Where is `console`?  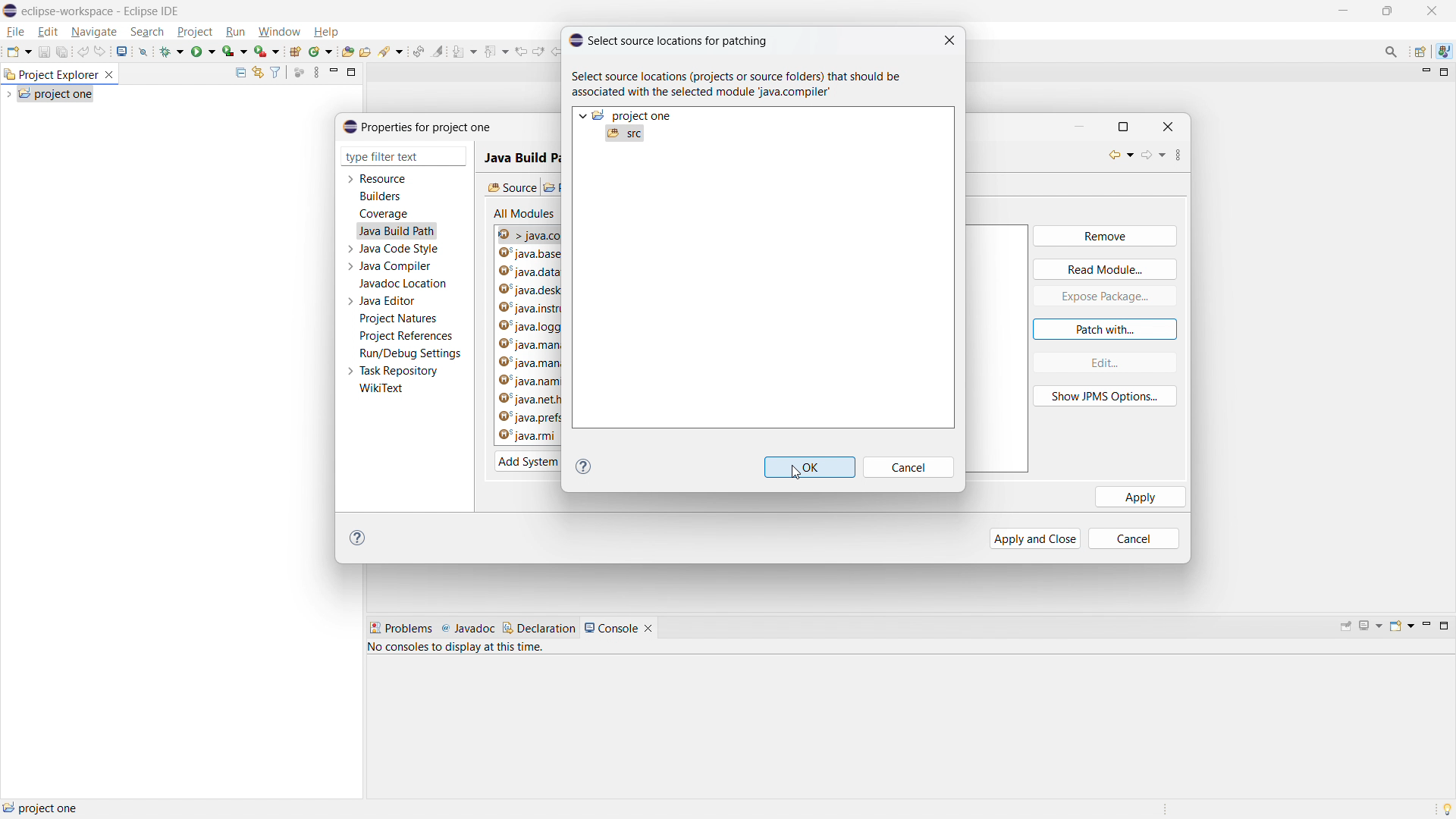
console is located at coordinates (611, 628).